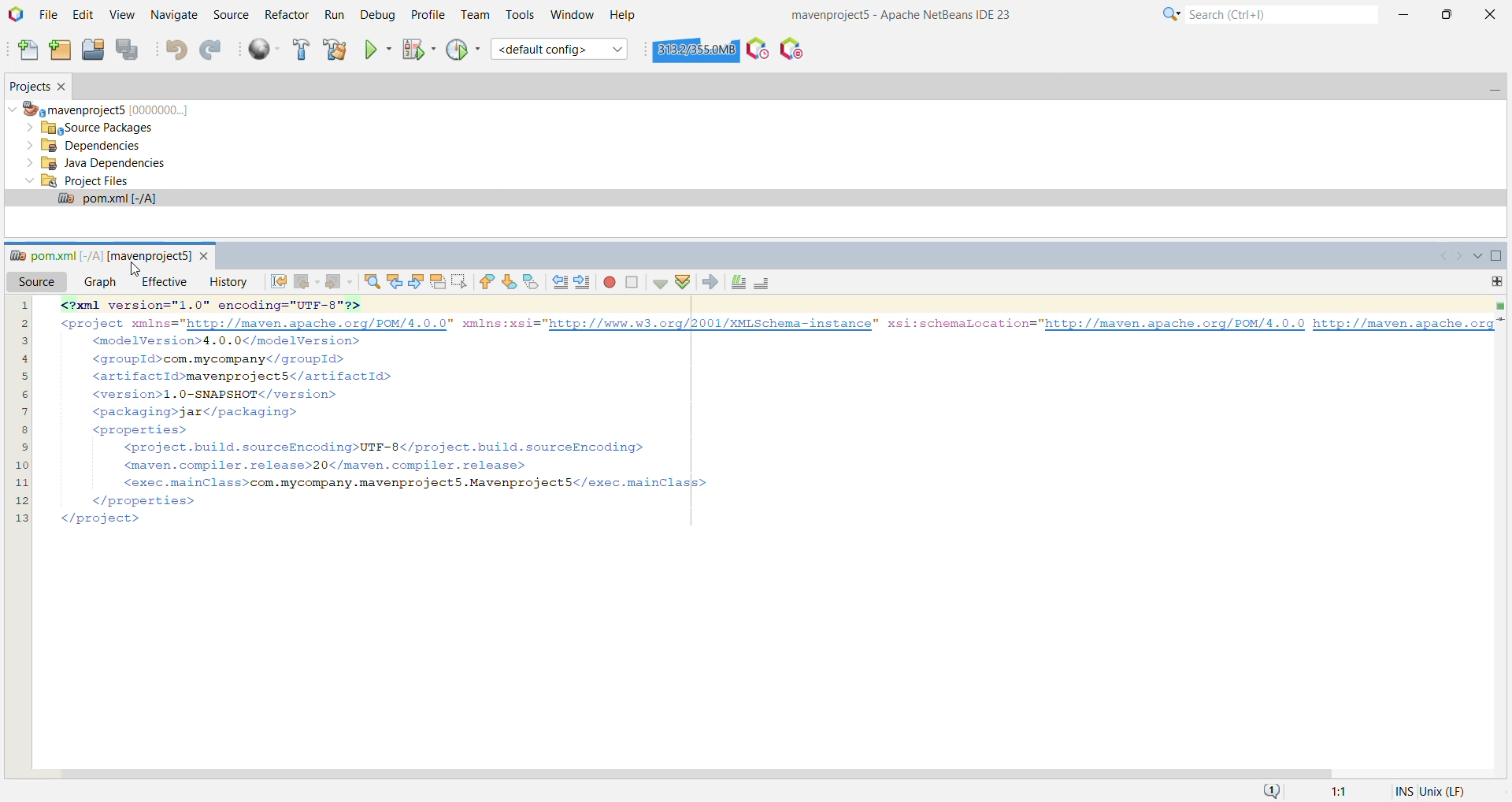 This screenshot has width=1512, height=802. What do you see at coordinates (286, 13) in the screenshot?
I see `Refactor` at bounding box center [286, 13].